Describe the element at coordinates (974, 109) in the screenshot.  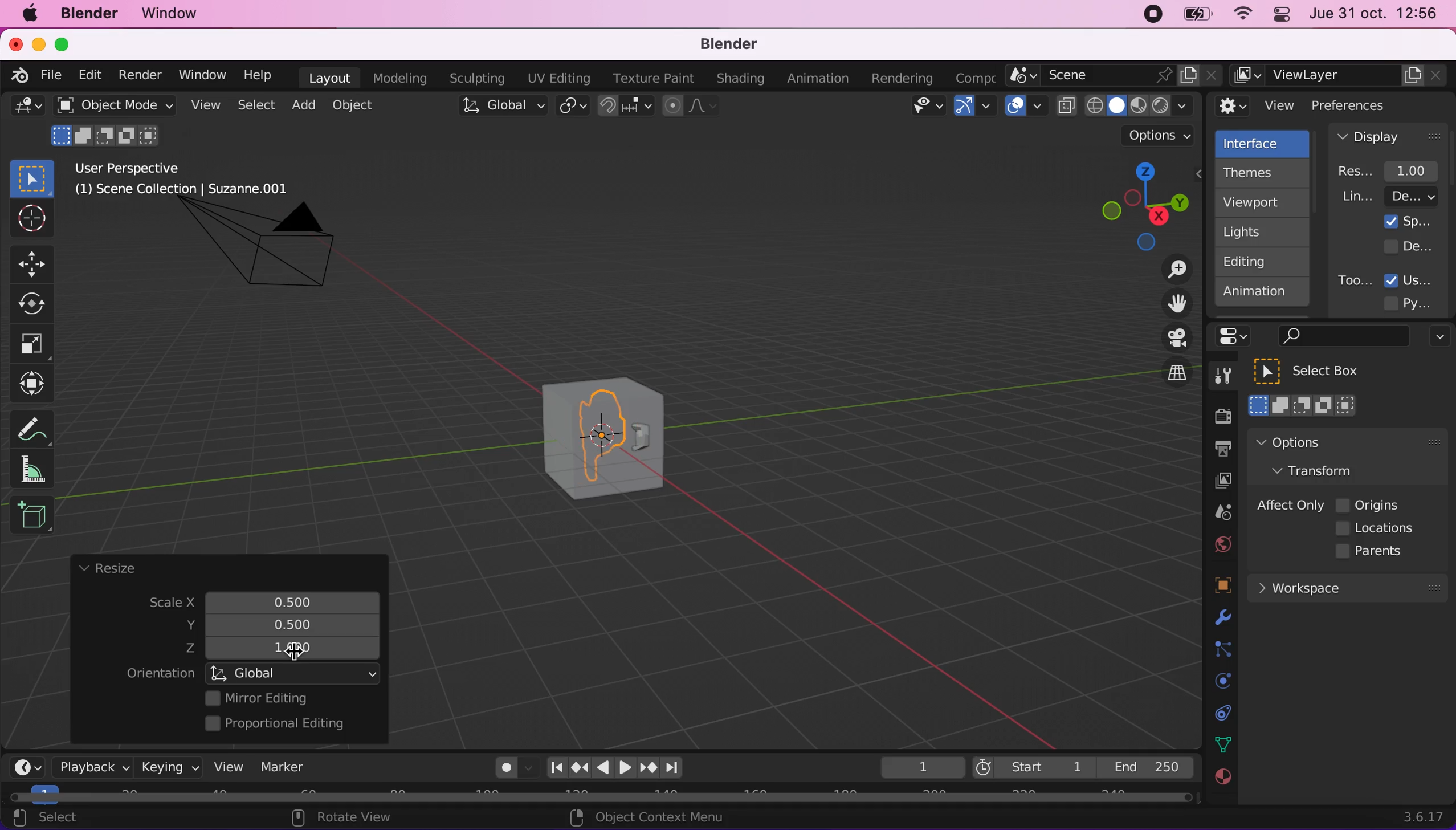
I see `gizmos` at that location.